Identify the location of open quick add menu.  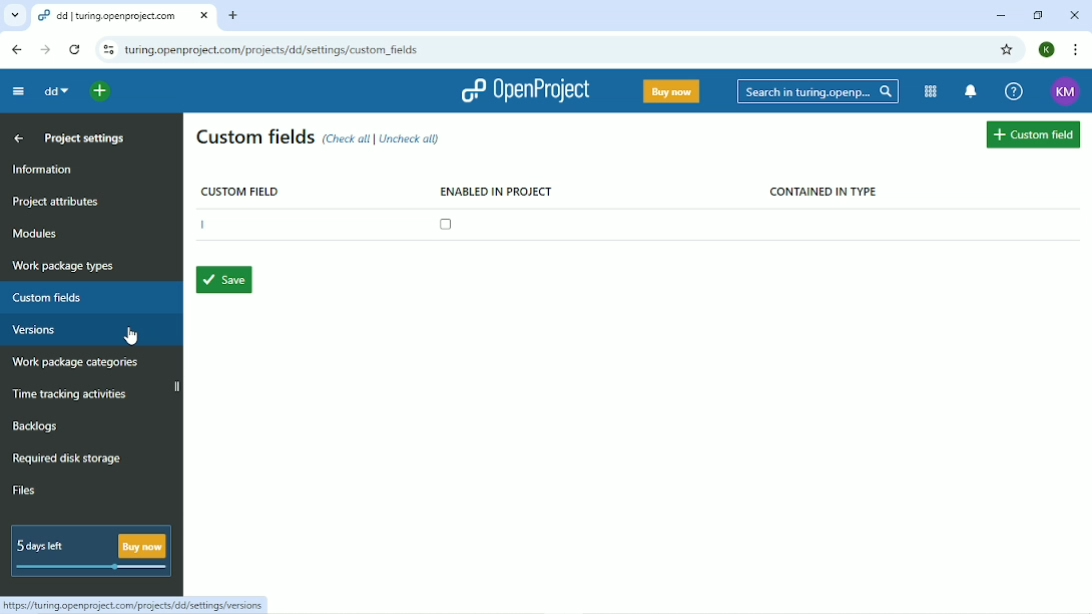
(100, 90).